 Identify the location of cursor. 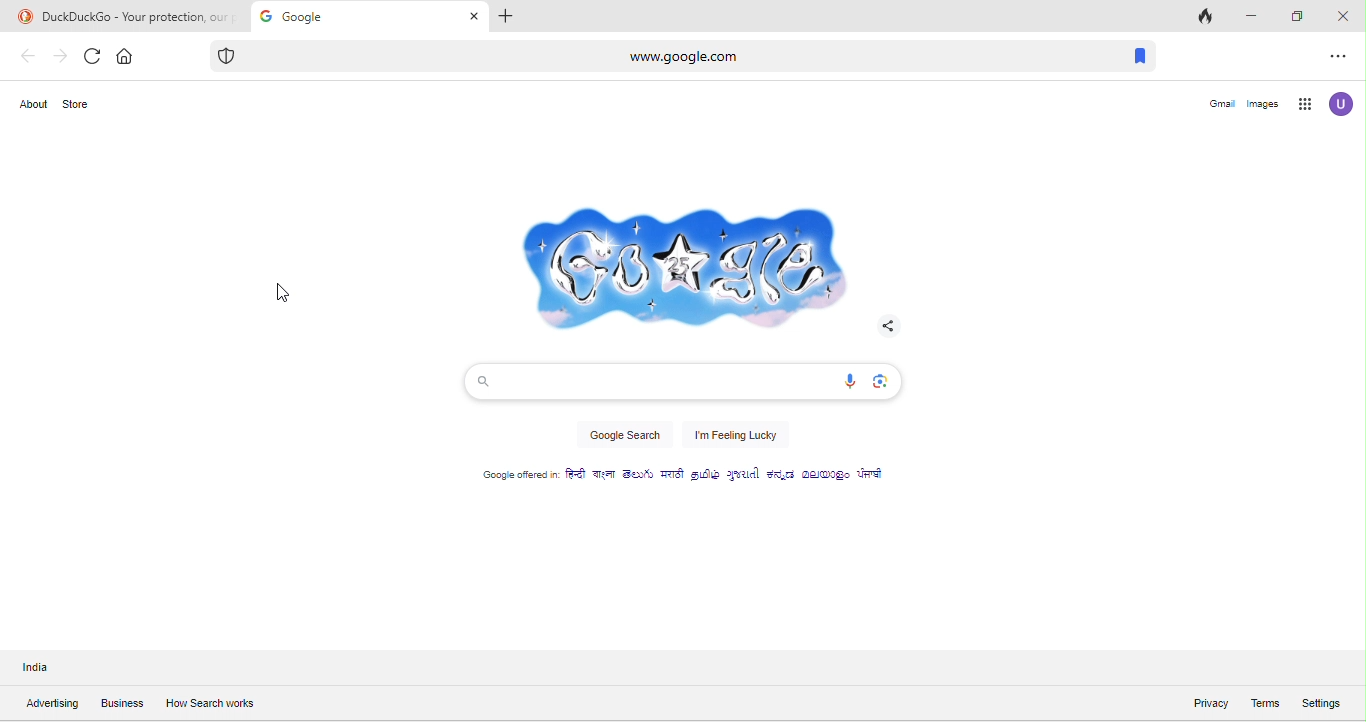
(281, 296).